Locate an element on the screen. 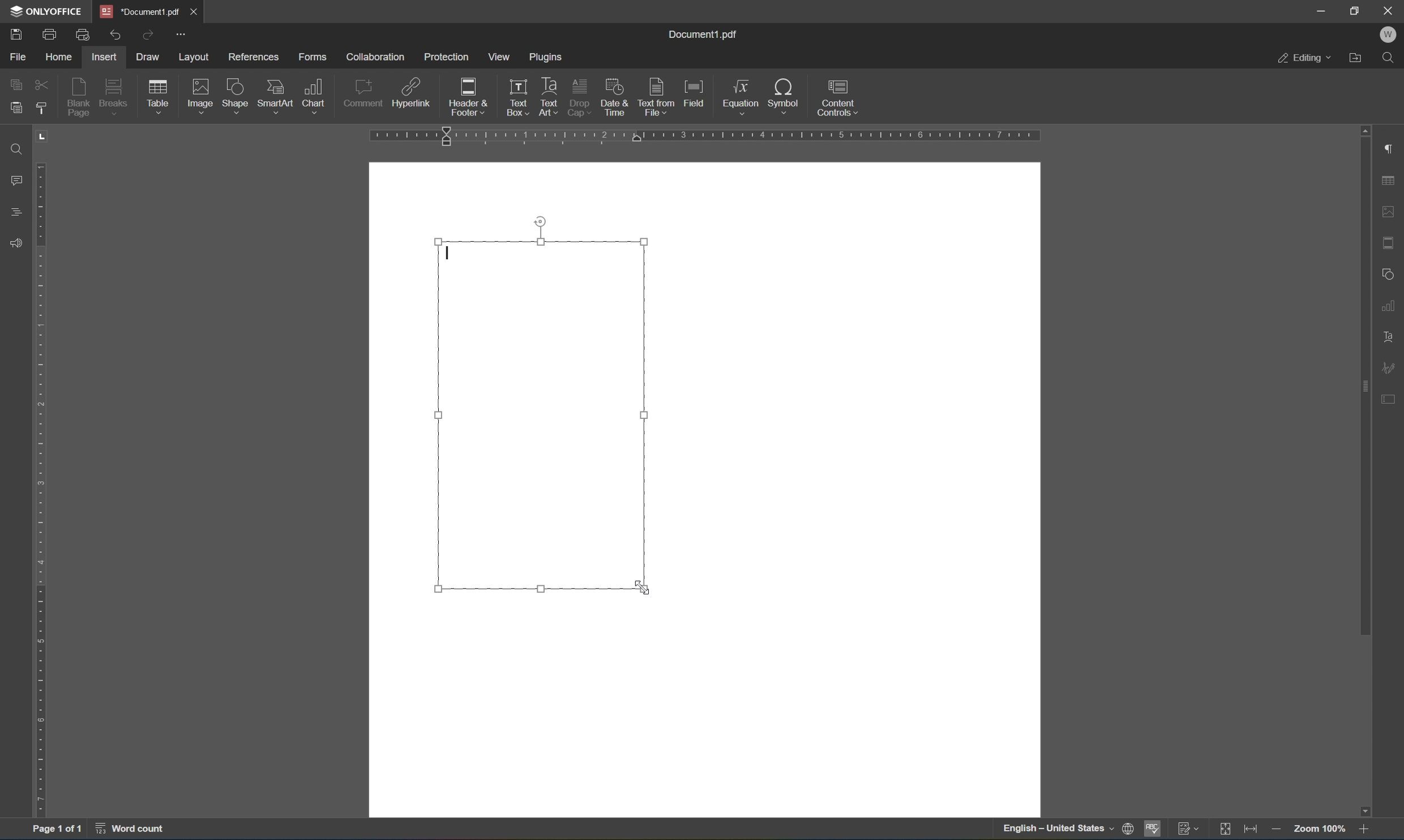 This screenshot has width=1404, height=840. Header and footer settings is located at coordinates (1391, 242).